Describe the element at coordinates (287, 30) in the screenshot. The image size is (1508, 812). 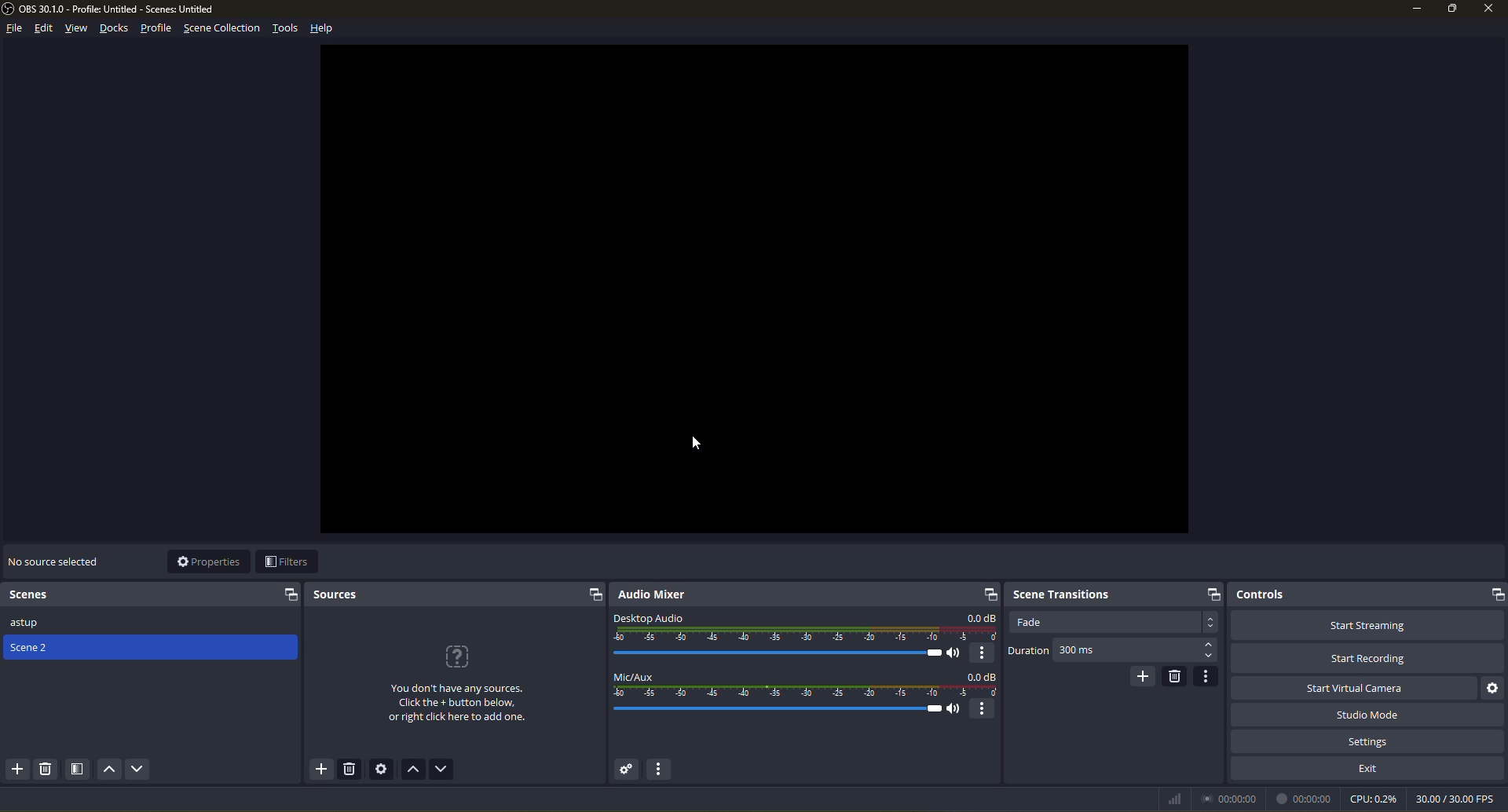
I see `tools` at that location.